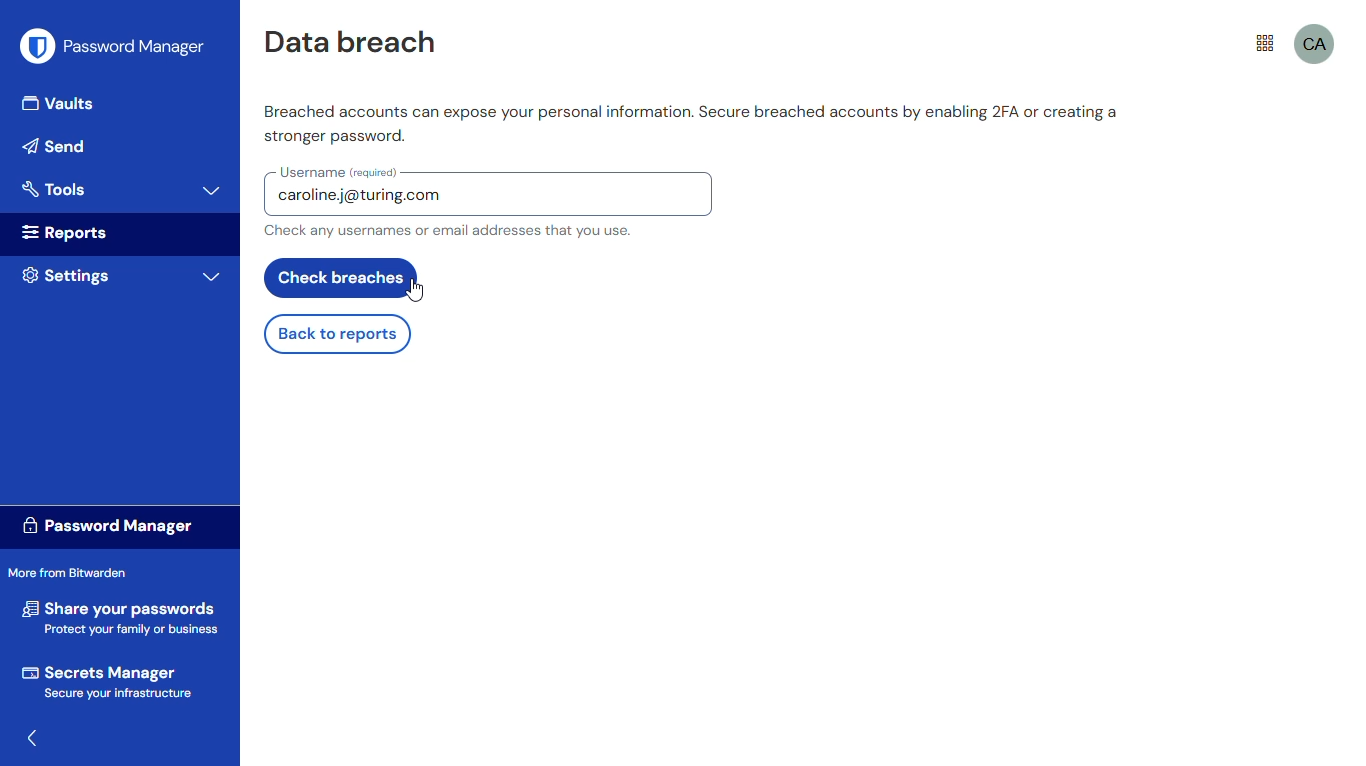 The height and width of the screenshot is (766, 1366). I want to click on share your passwords protect your family or business, so click(121, 614).